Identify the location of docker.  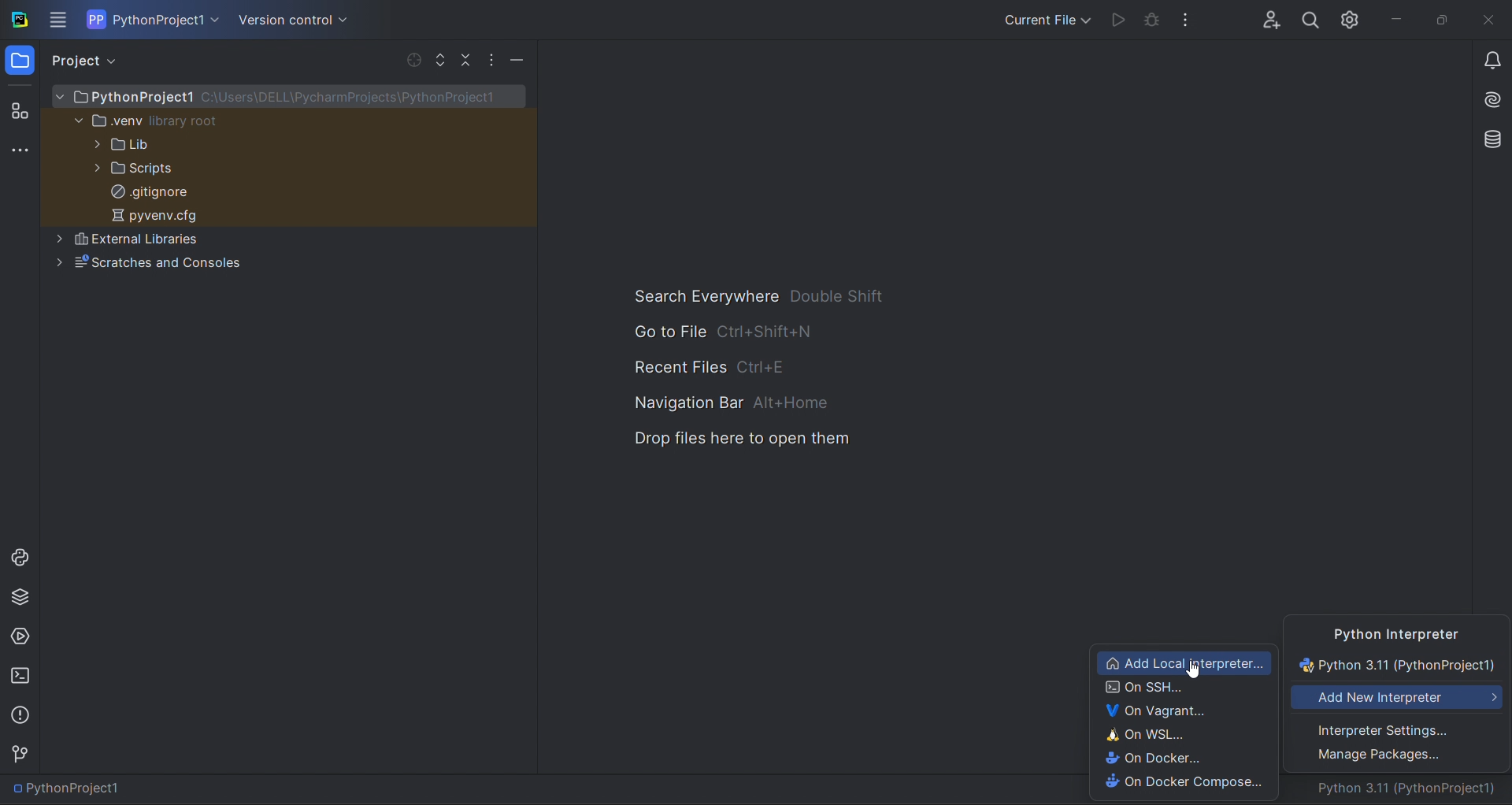
(1181, 759).